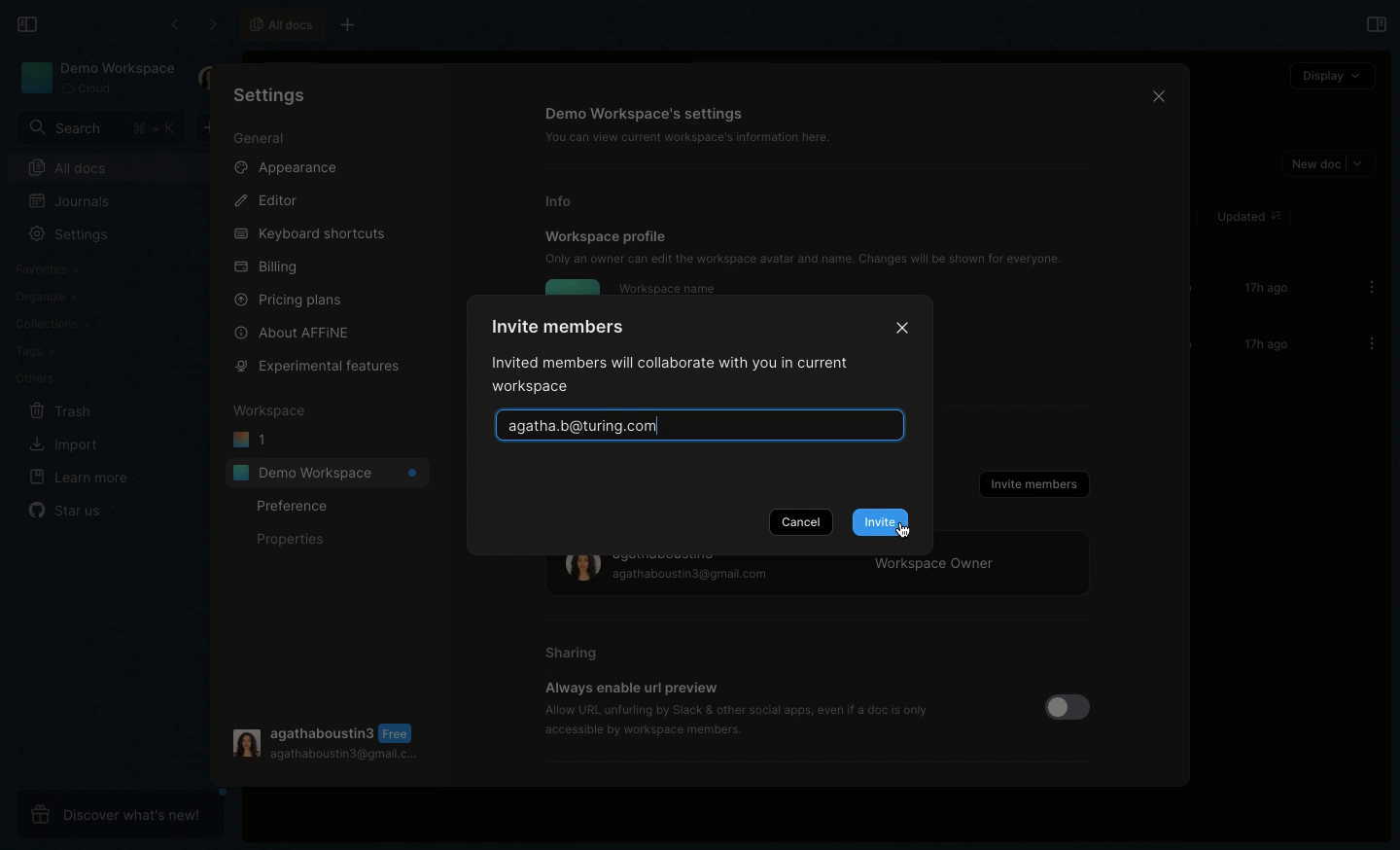  What do you see at coordinates (57, 409) in the screenshot?
I see `Trash` at bounding box center [57, 409].